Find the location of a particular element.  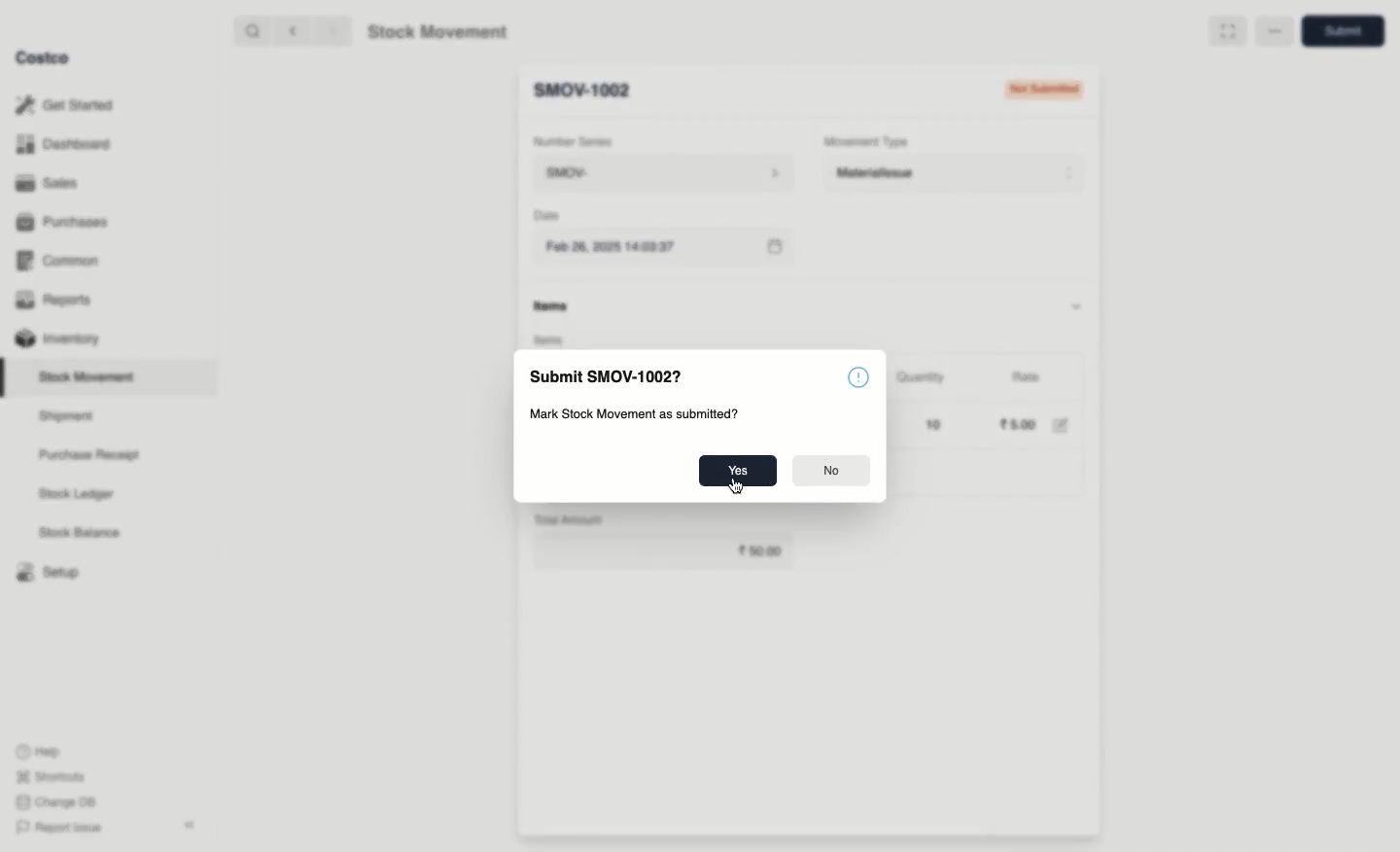

Not Submitted is located at coordinates (1042, 91).